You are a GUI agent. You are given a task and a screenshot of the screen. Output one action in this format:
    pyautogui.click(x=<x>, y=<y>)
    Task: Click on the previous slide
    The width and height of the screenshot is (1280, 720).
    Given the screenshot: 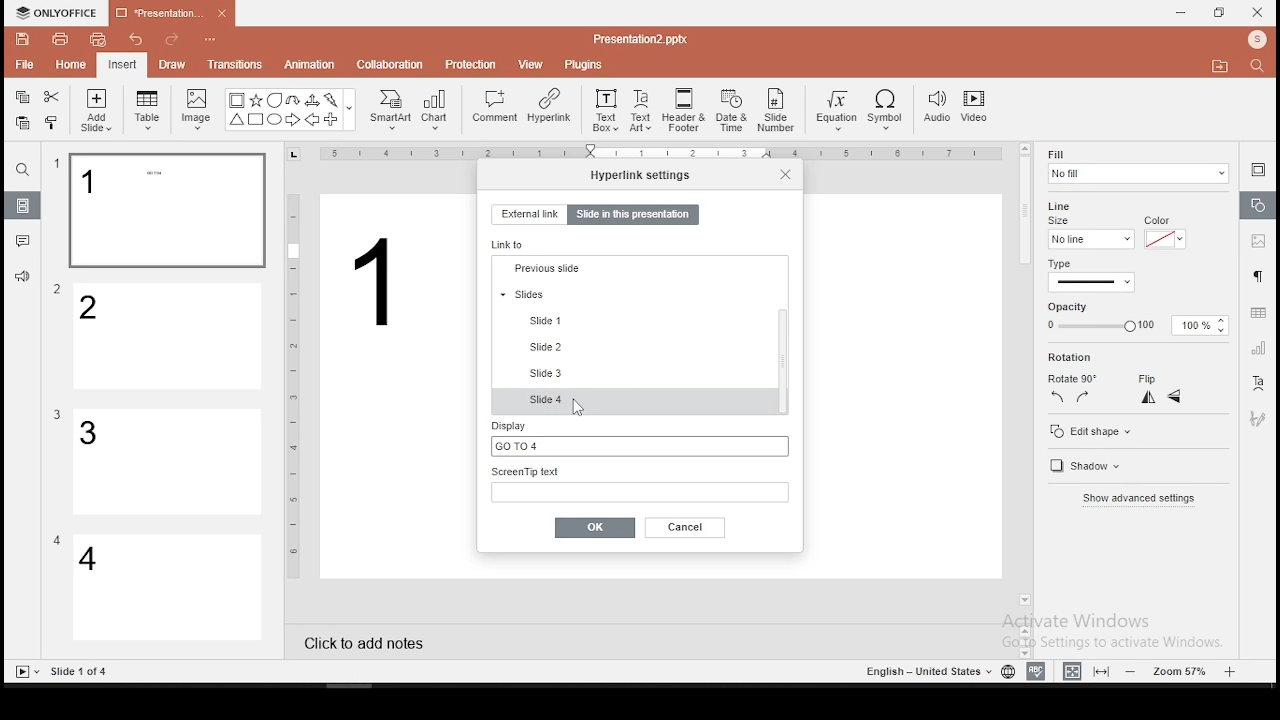 What is the action you would take?
    pyautogui.click(x=633, y=347)
    